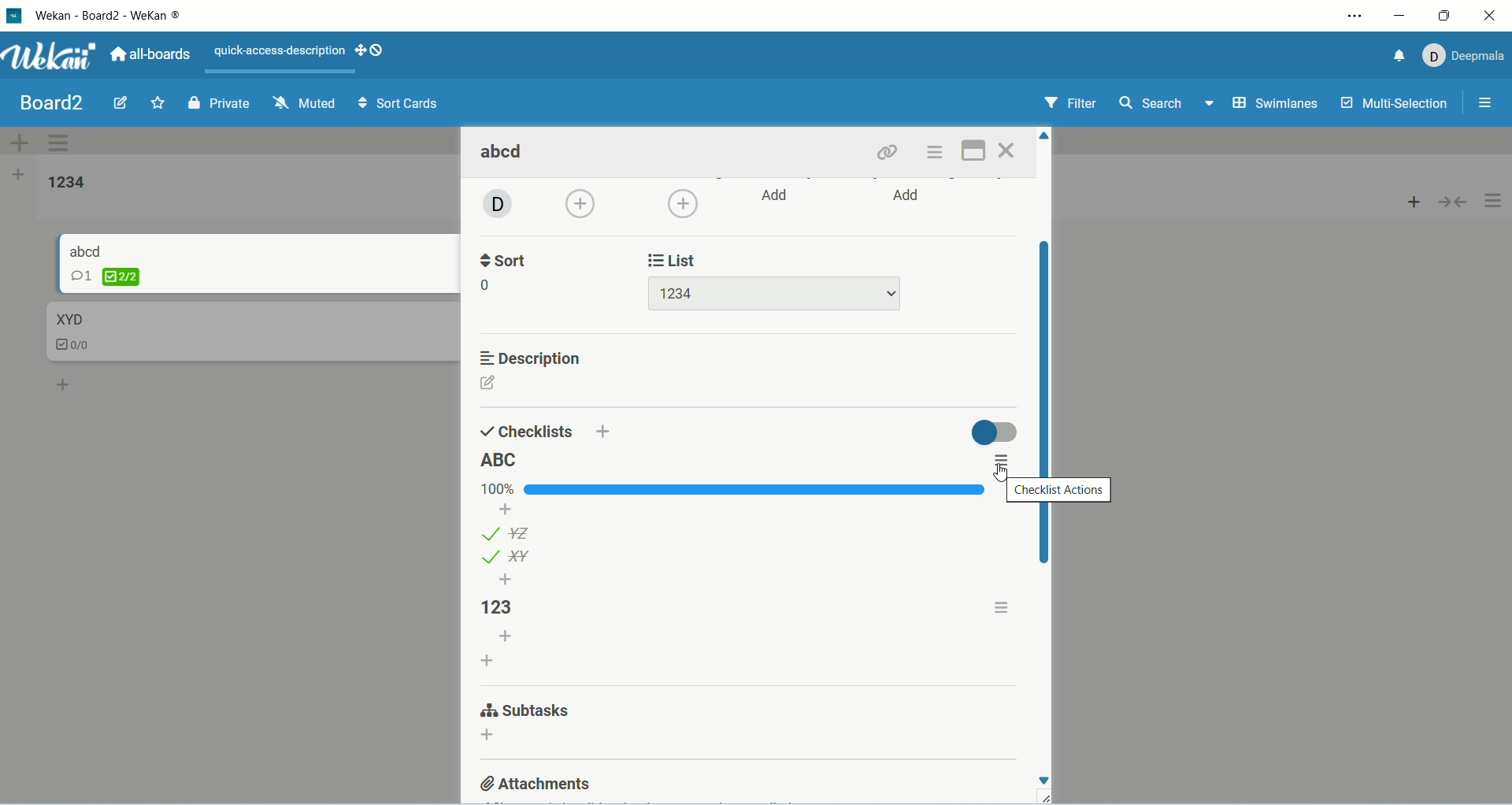 The image size is (1512, 805). What do you see at coordinates (487, 737) in the screenshot?
I see `add` at bounding box center [487, 737].